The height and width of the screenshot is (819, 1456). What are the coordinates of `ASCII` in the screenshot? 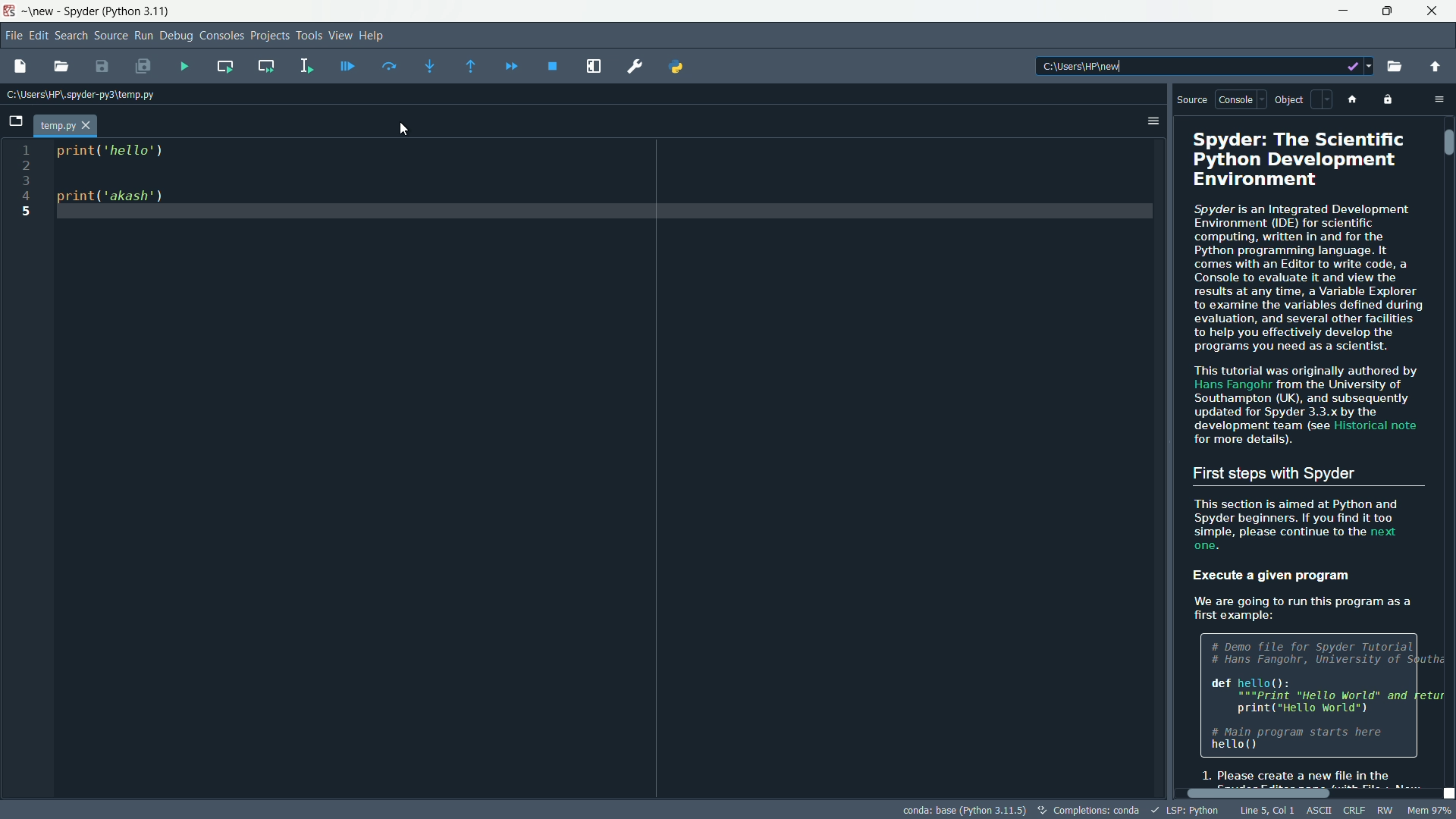 It's located at (1318, 809).